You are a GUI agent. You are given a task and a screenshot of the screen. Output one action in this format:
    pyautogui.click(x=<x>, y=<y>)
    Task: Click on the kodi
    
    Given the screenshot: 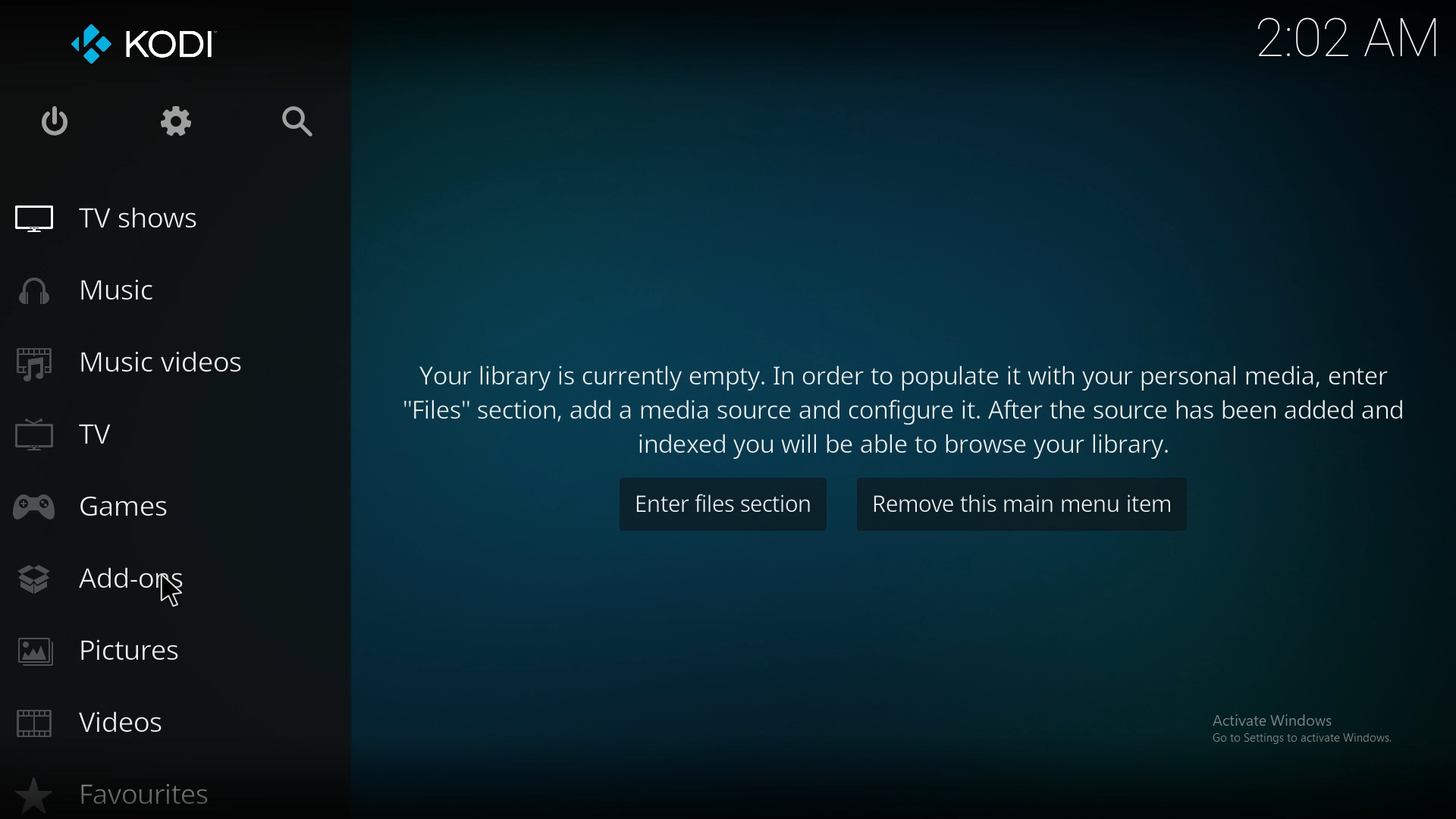 What is the action you would take?
    pyautogui.click(x=174, y=44)
    